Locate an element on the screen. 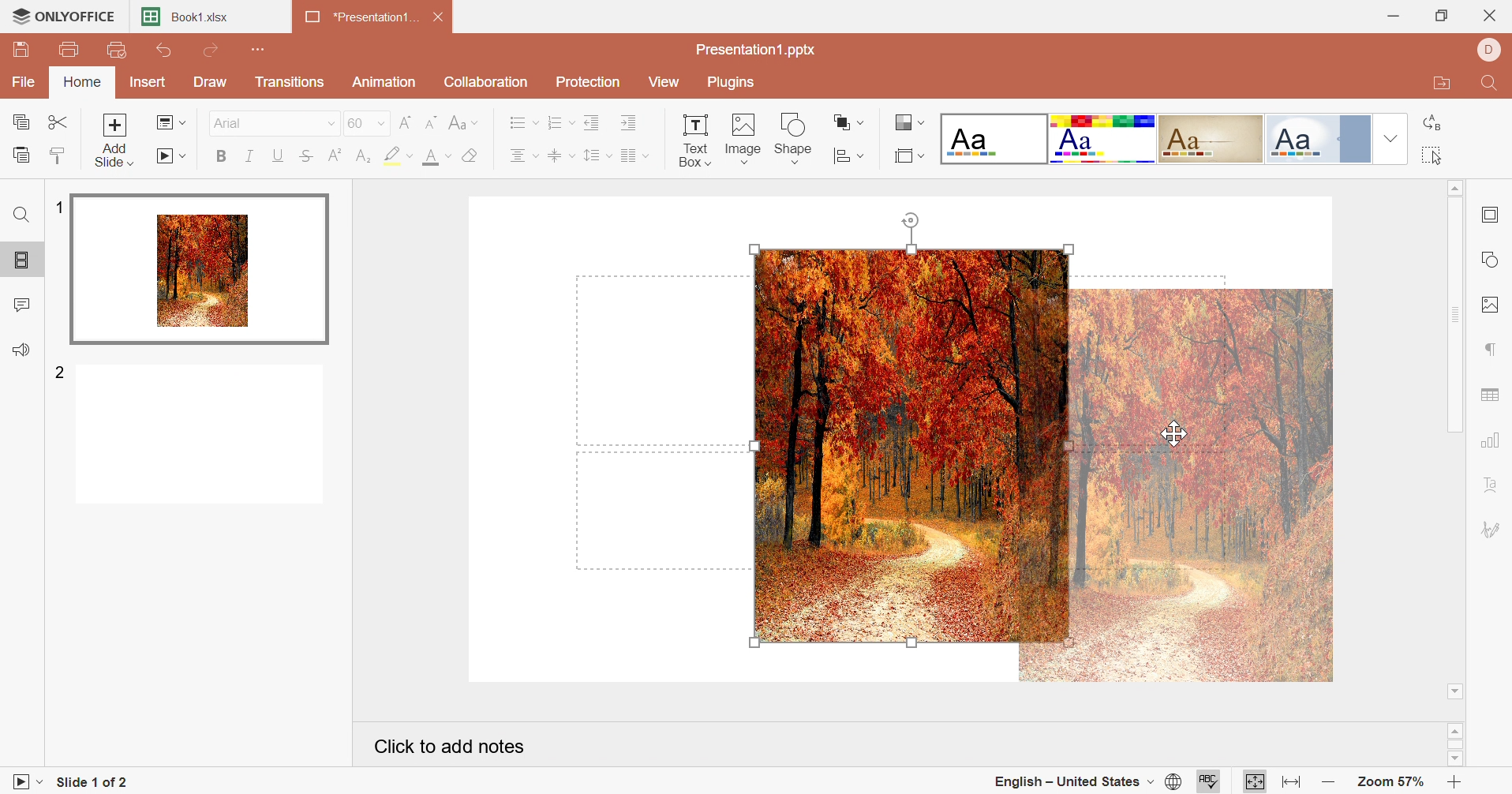  Change color theme is located at coordinates (910, 122).